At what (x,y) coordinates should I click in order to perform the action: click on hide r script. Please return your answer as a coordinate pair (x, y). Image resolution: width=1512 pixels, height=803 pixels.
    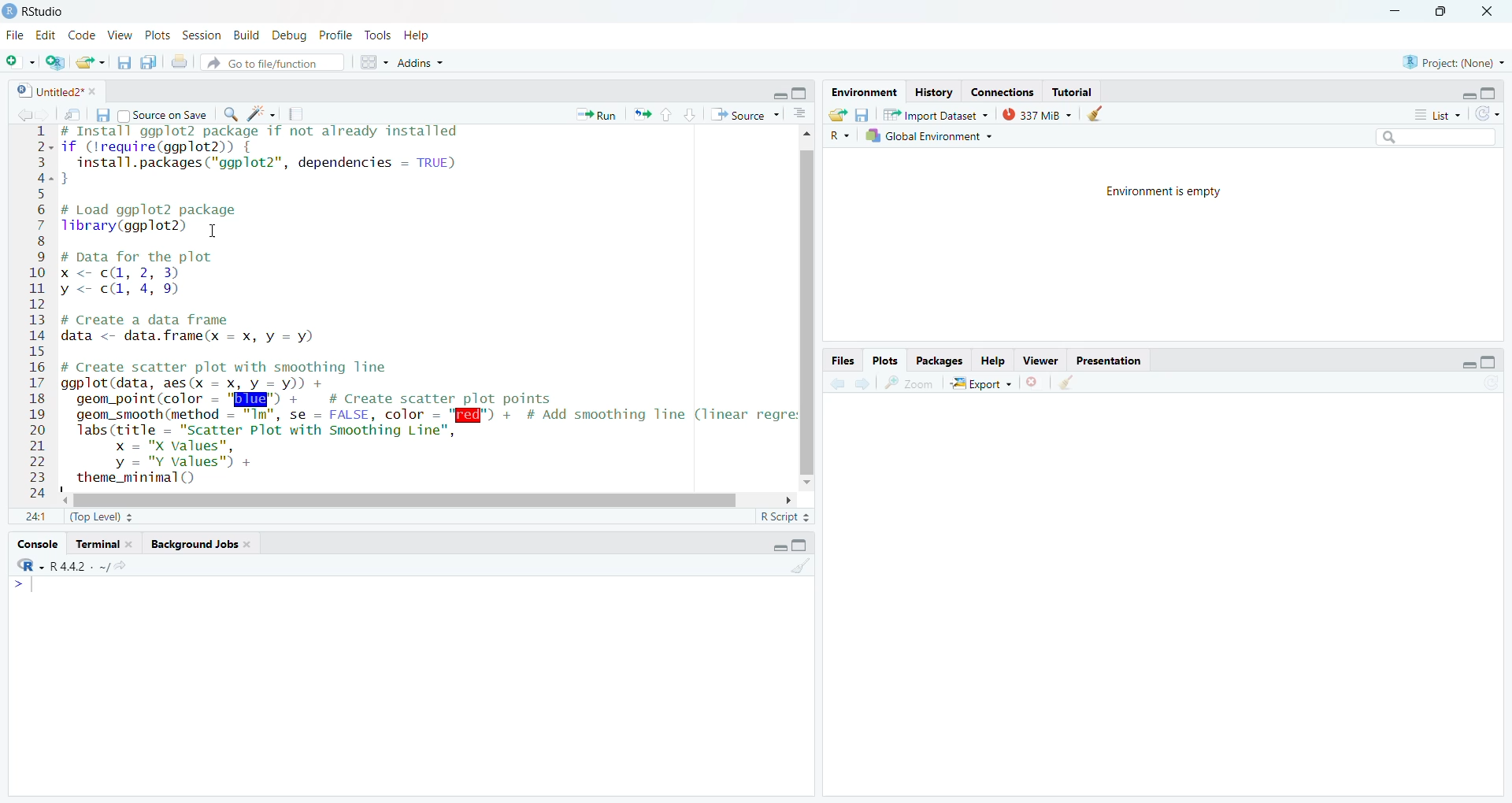
    Looking at the image, I should click on (776, 545).